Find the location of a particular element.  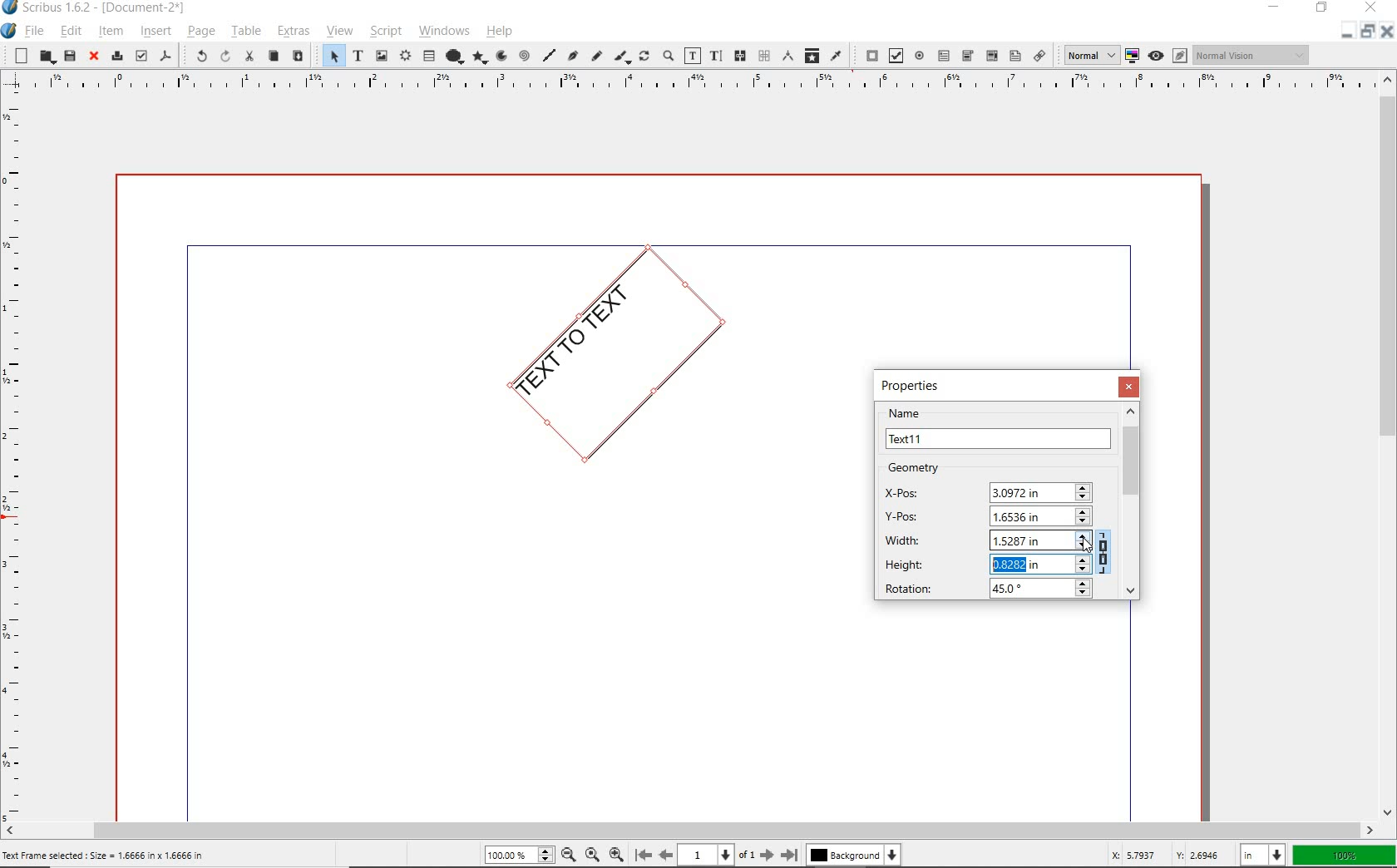

Bezier curve is located at coordinates (572, 55).